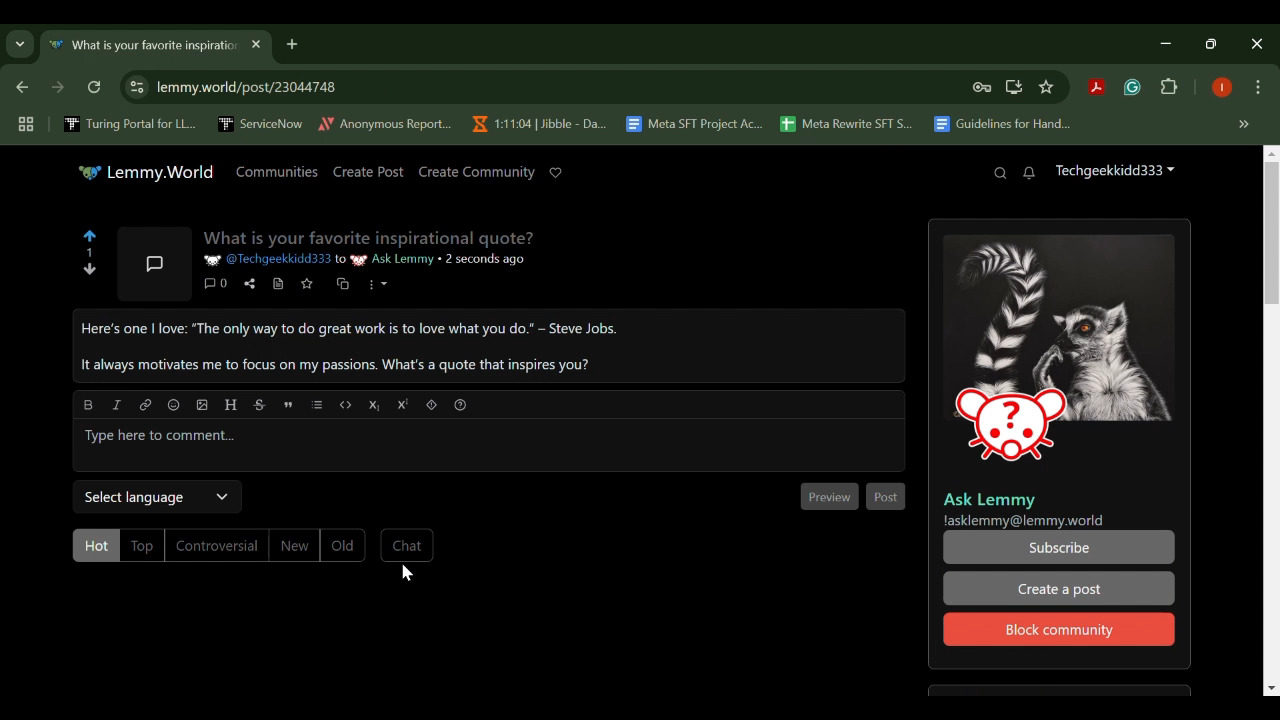 The height and width of the screenshot is (720, 1280). What do you see at coordinates (89, 403) in the screenshot?
I see `bold` at bounding box center [89, 403].